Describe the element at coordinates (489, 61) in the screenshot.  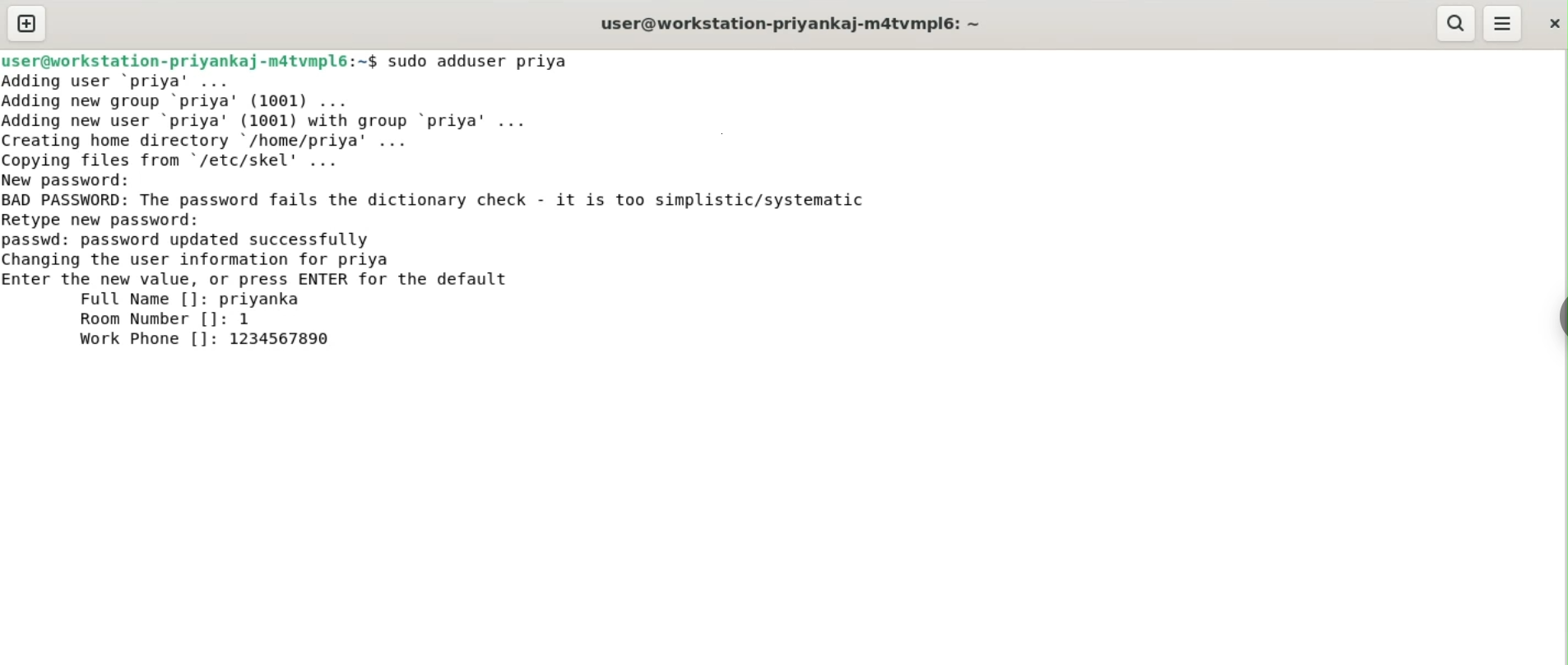
I see `sudo adduser priya` at that location.